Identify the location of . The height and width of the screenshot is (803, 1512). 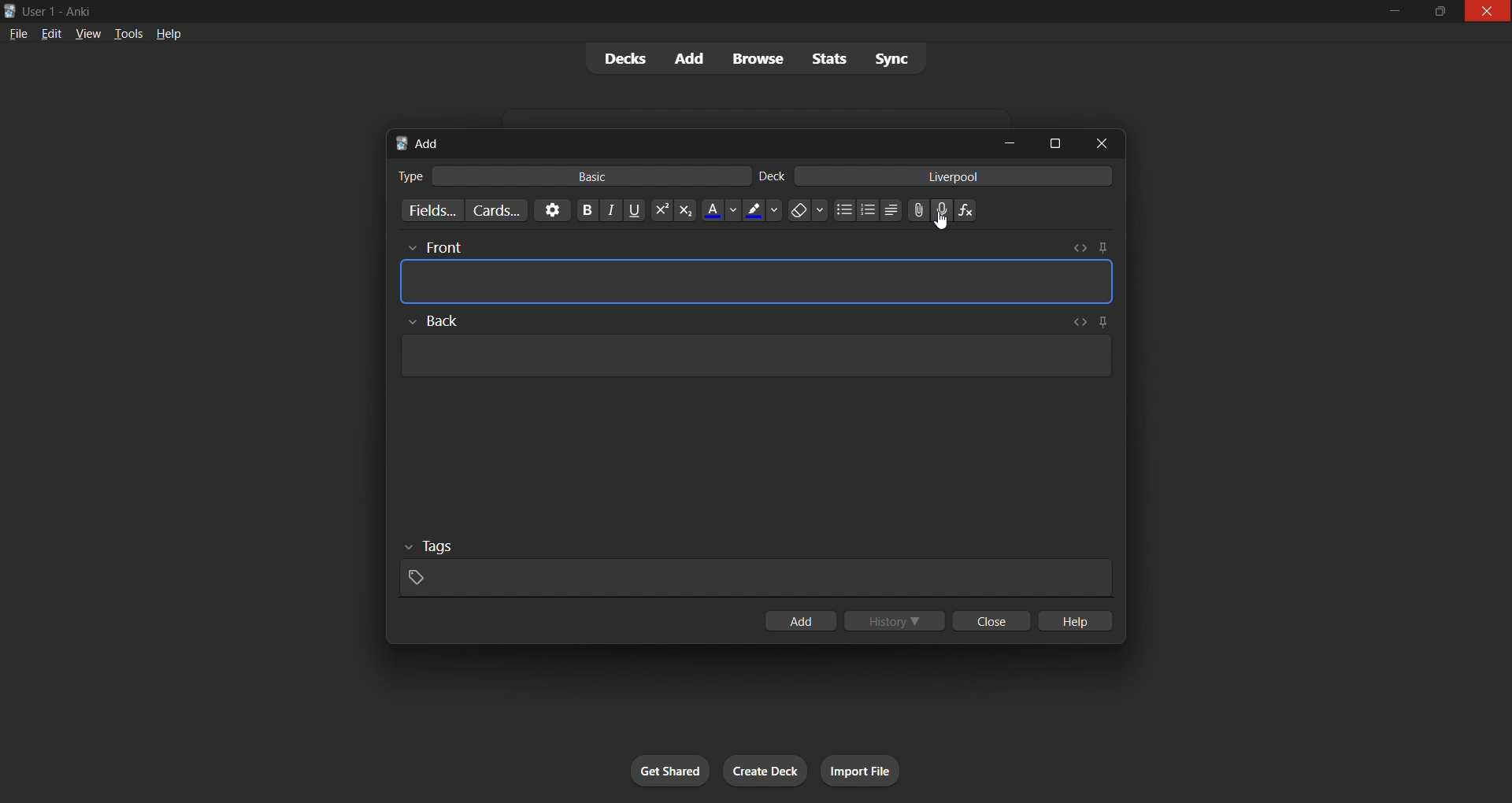
(954, 176).